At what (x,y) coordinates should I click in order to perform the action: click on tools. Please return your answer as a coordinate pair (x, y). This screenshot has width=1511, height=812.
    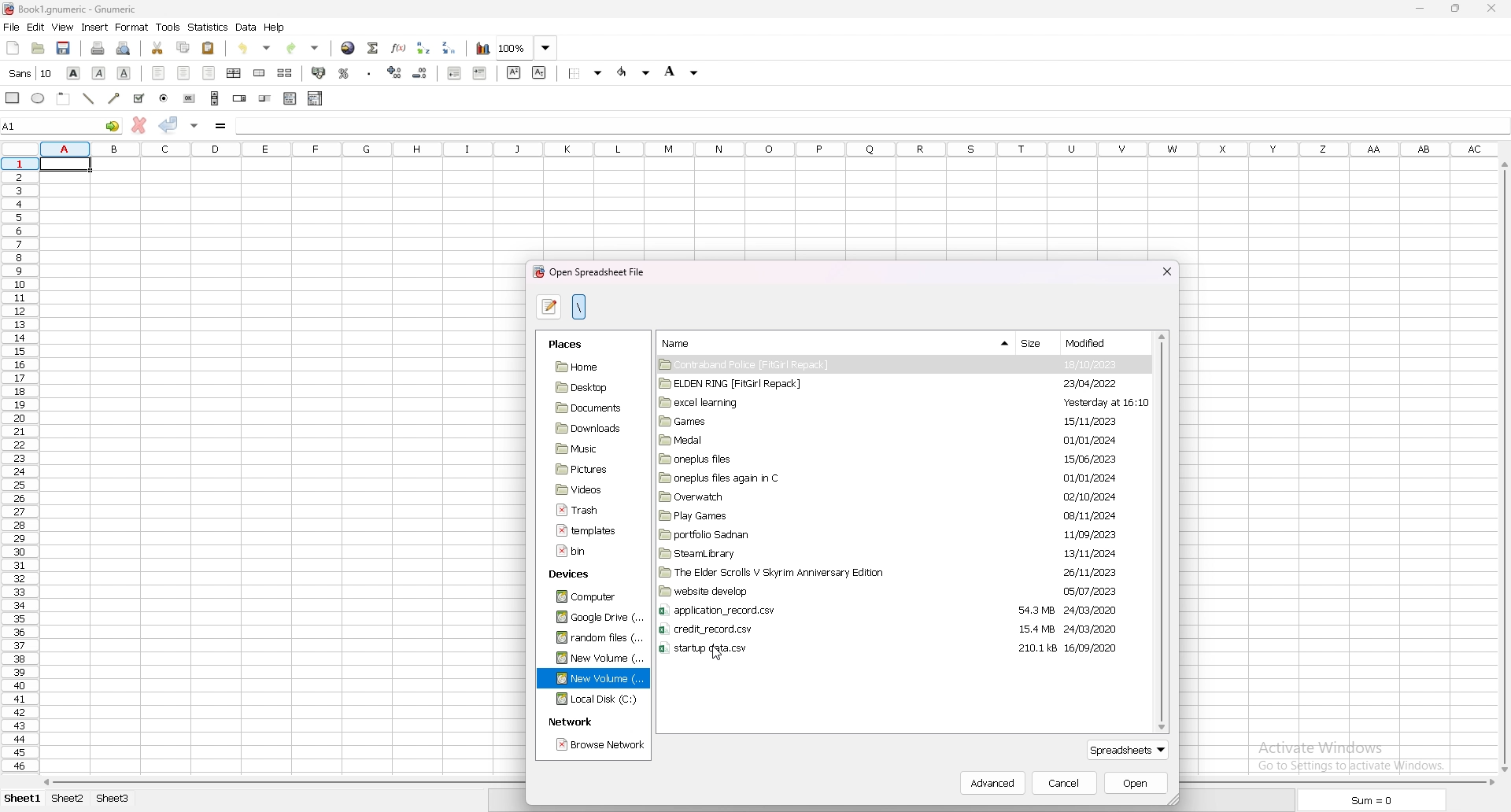
    Looking at the image, I should click on (168, 28).